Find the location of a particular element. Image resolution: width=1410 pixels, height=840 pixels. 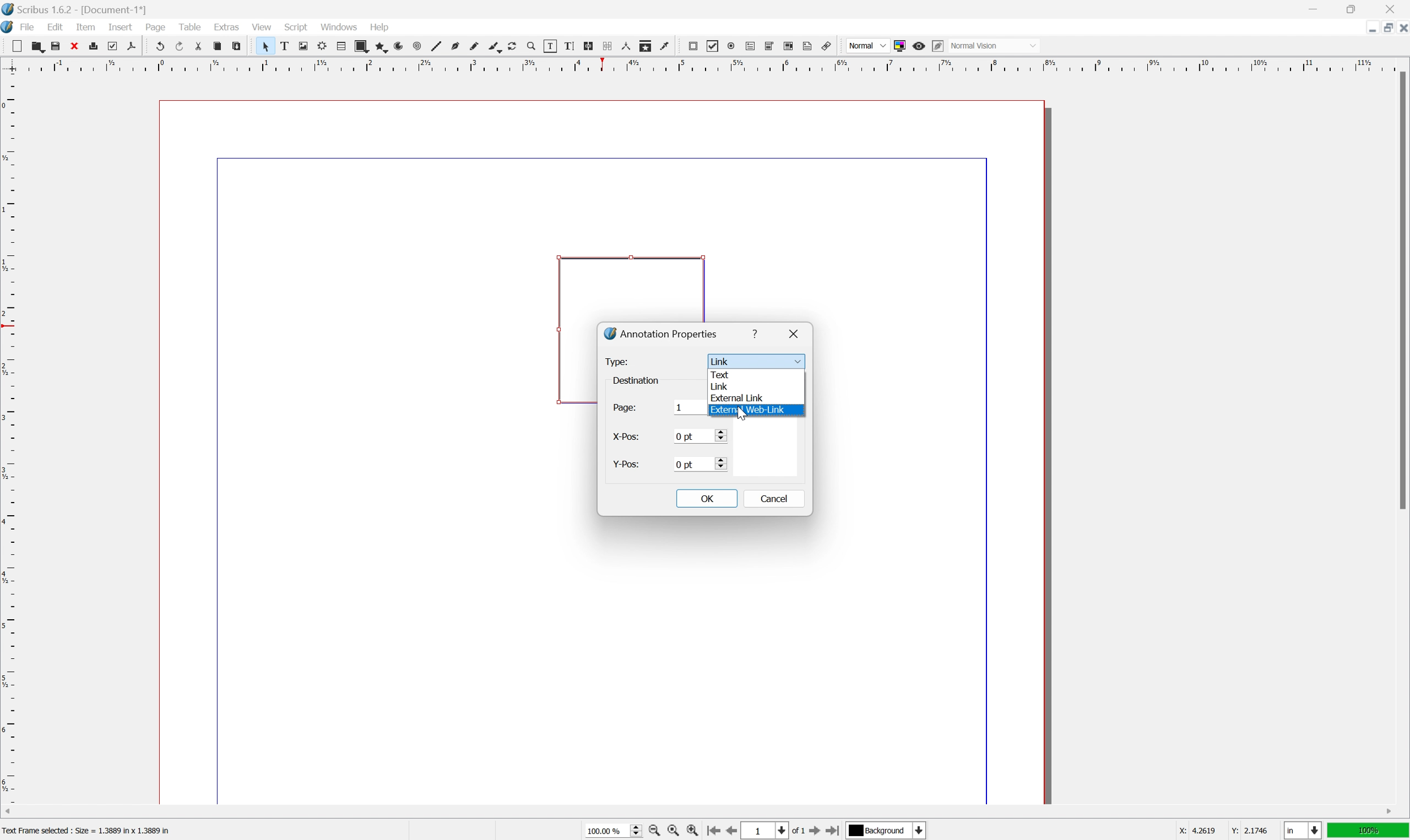

zoom in or zoom out is located at coordinates (532, 46).